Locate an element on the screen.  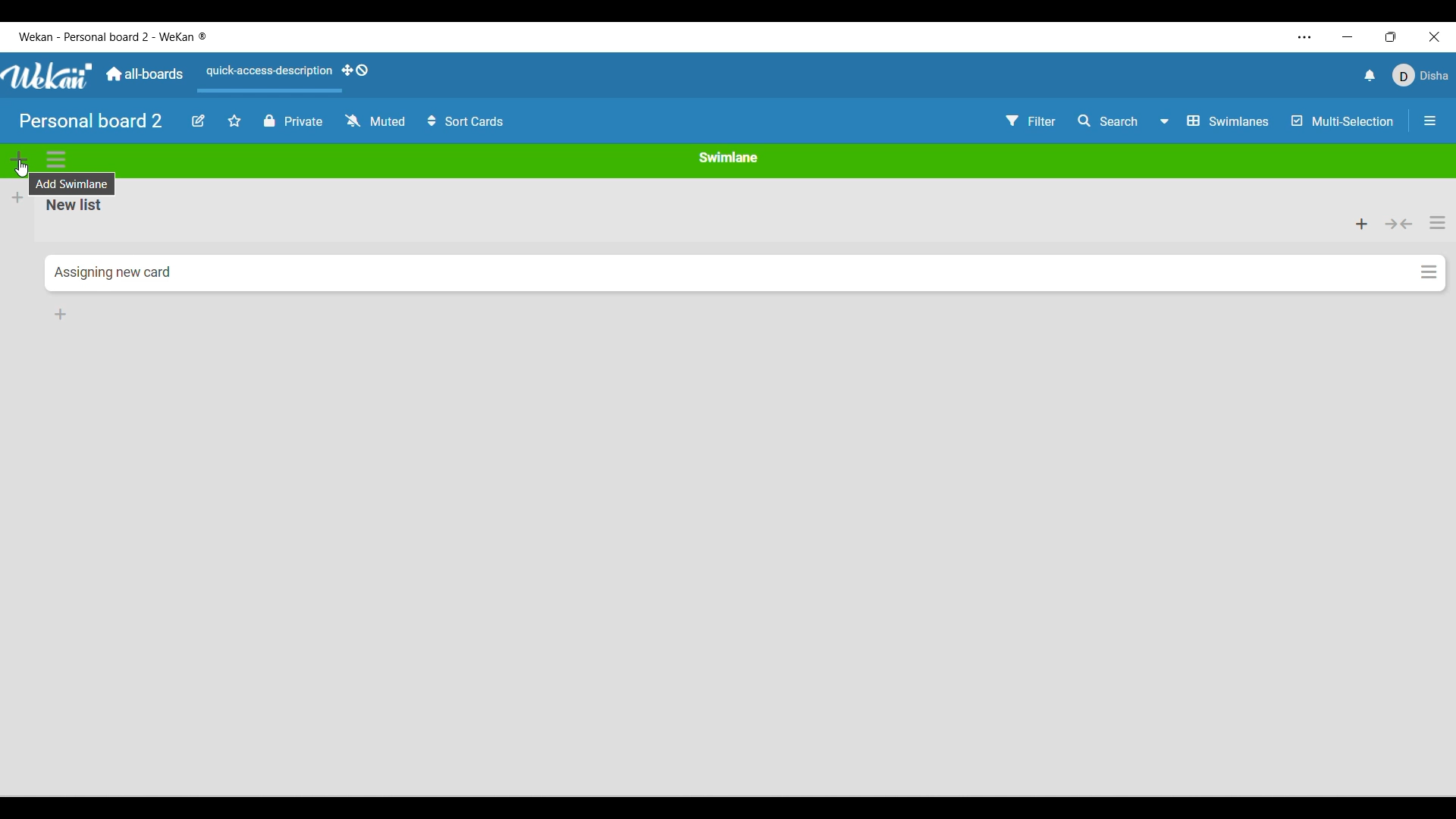
Close/Open side bar is located at coordinates (1429, 121).